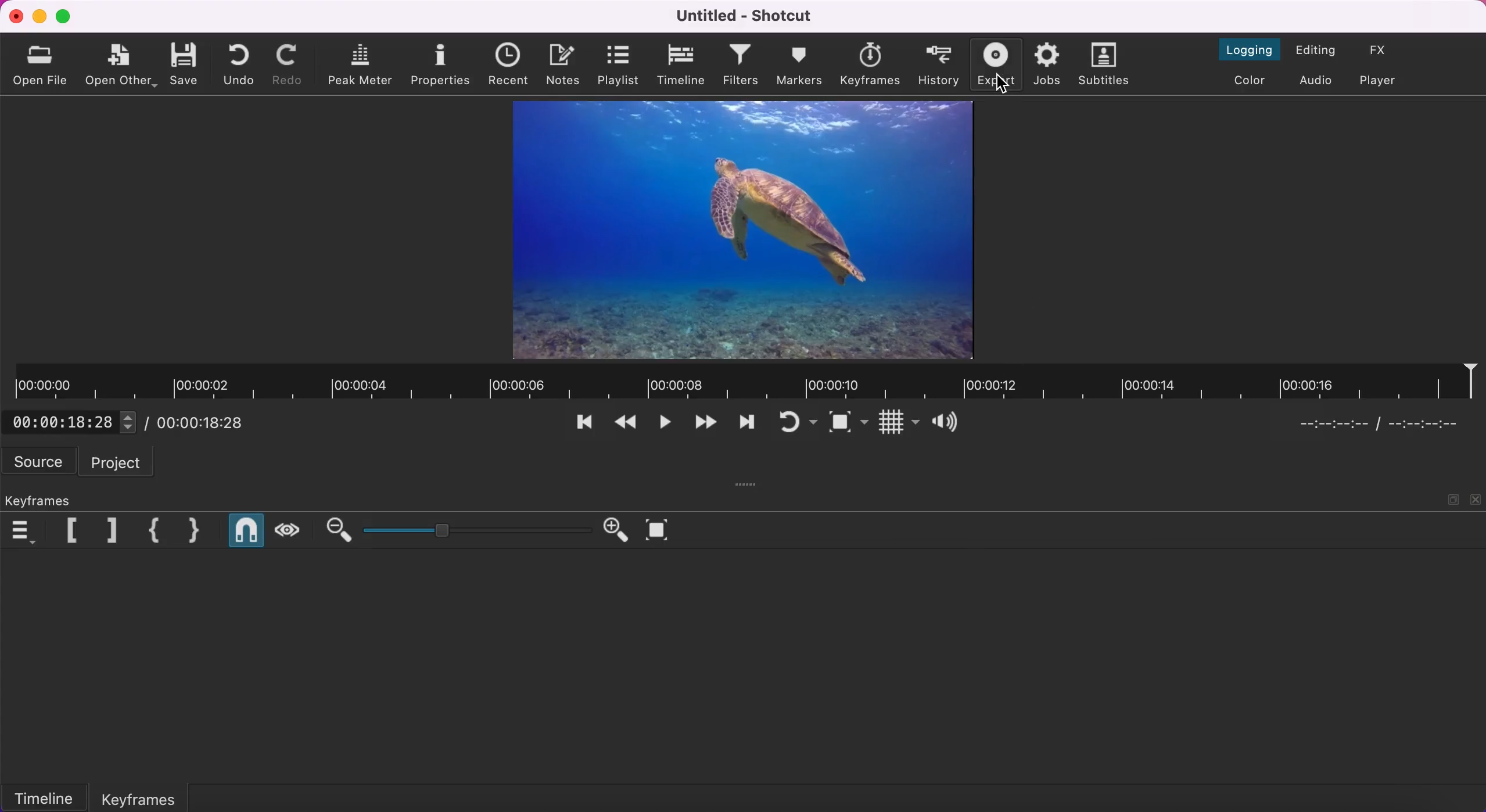 The height and width of the screenshot is (812, 1486). Describe the element at coordinates (41, 64) in the screenshot. I see `open file` at that location.